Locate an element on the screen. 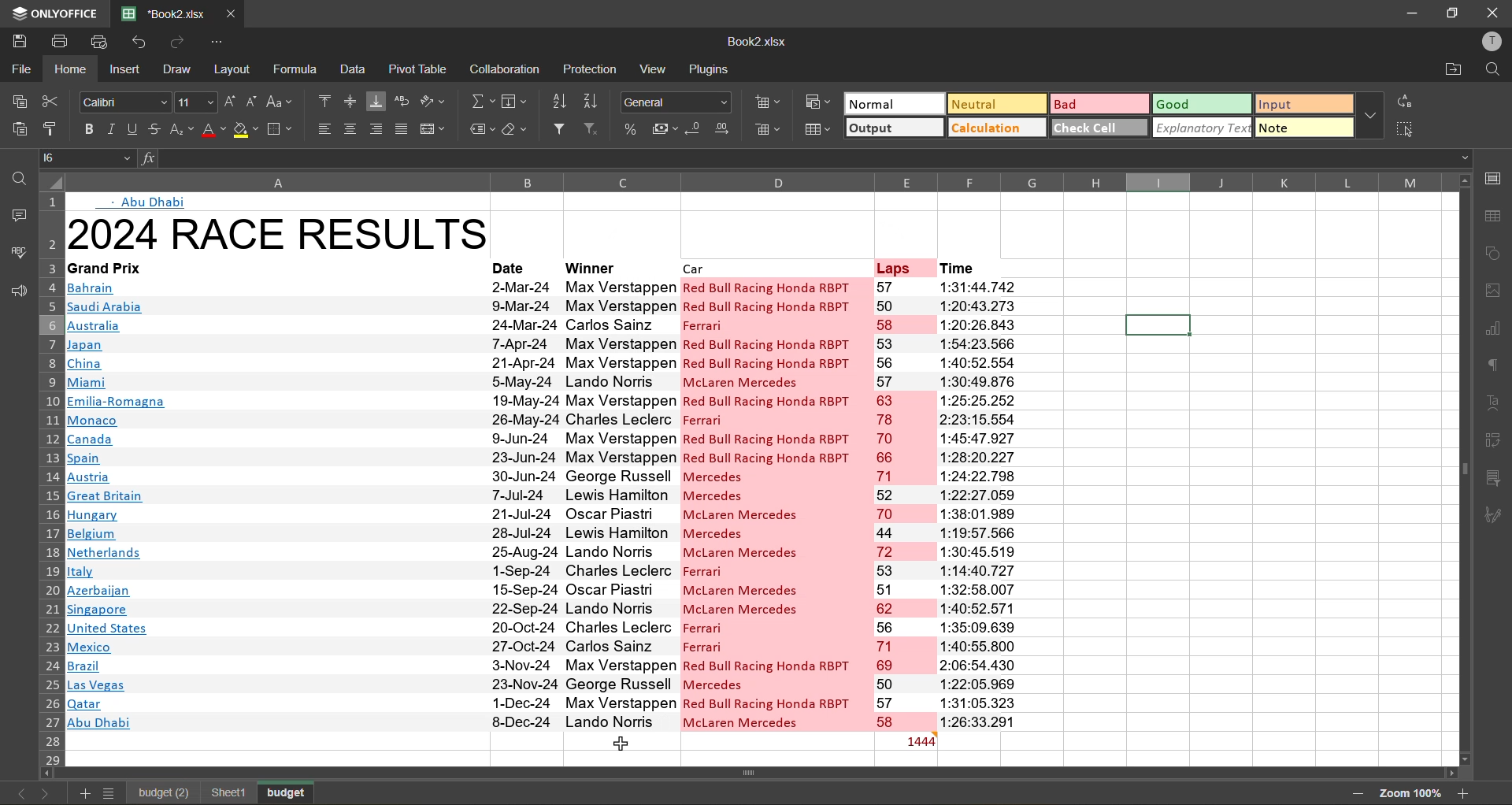 Image resolution: width=1512 pixels, height=805 pixels. decrease decimal is located at coordinates (696, 129).